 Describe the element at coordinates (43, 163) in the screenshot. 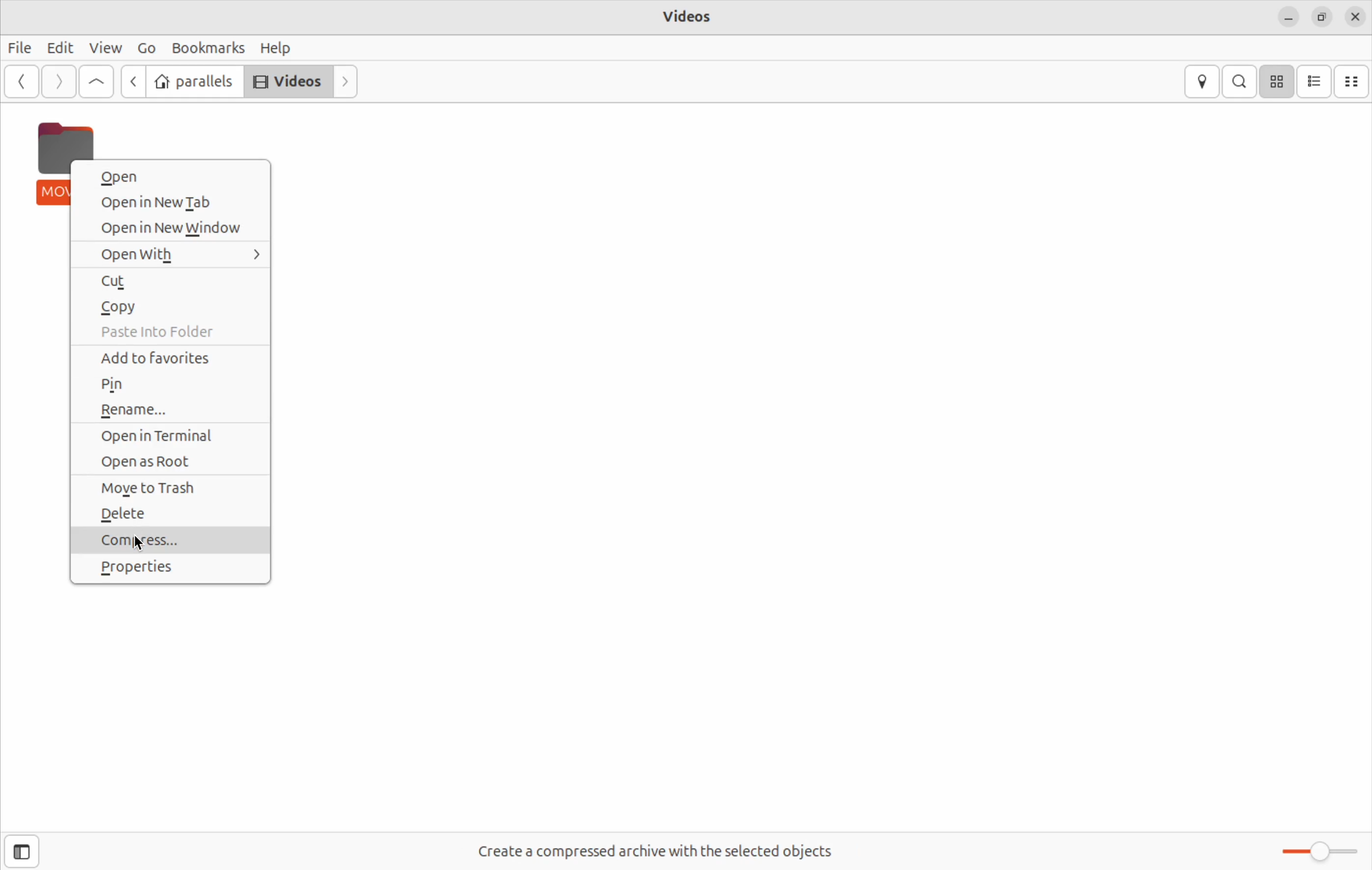

I see `movies` at that location.